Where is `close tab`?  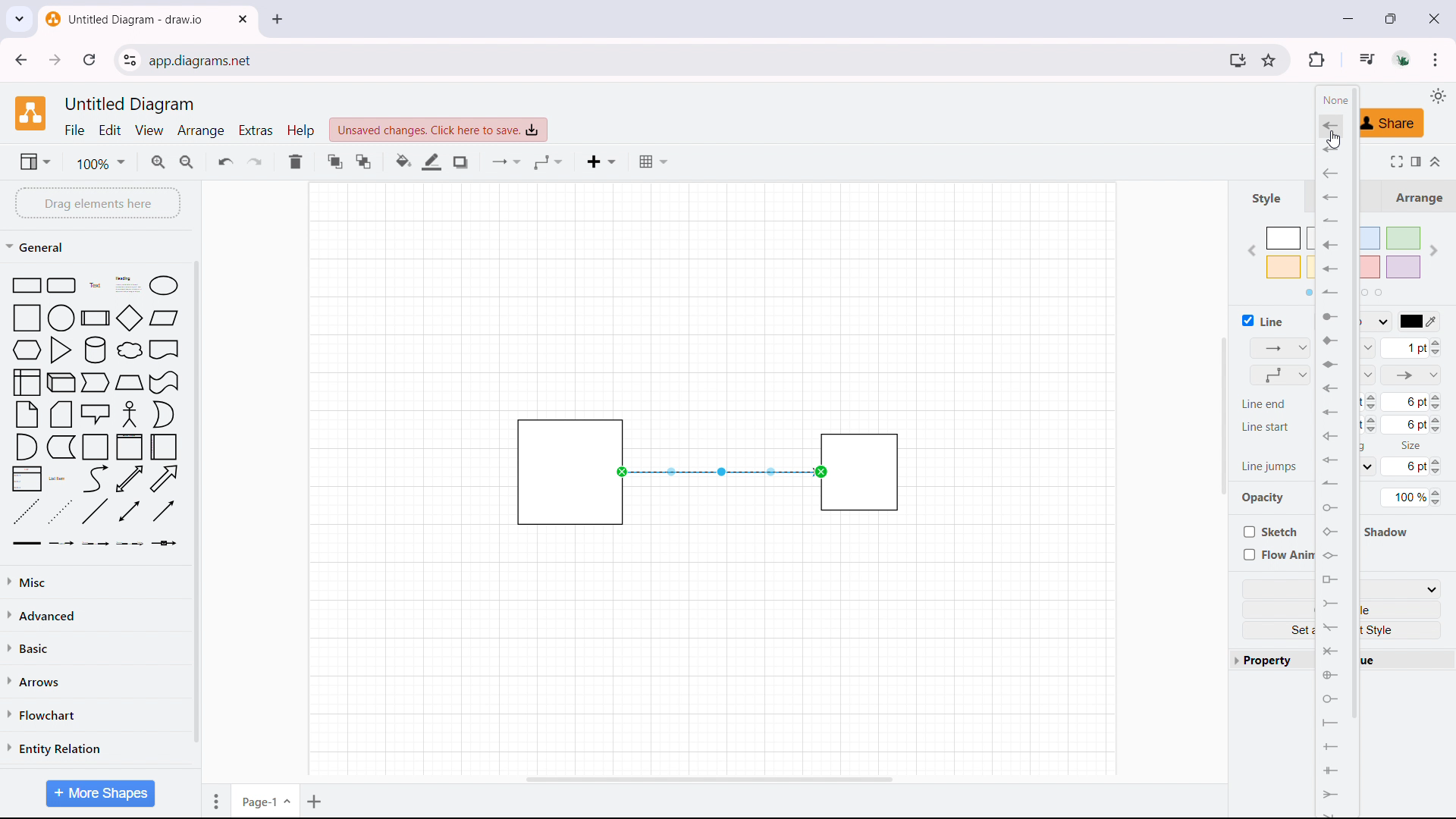 close tab is located at coordinates (278, 19).